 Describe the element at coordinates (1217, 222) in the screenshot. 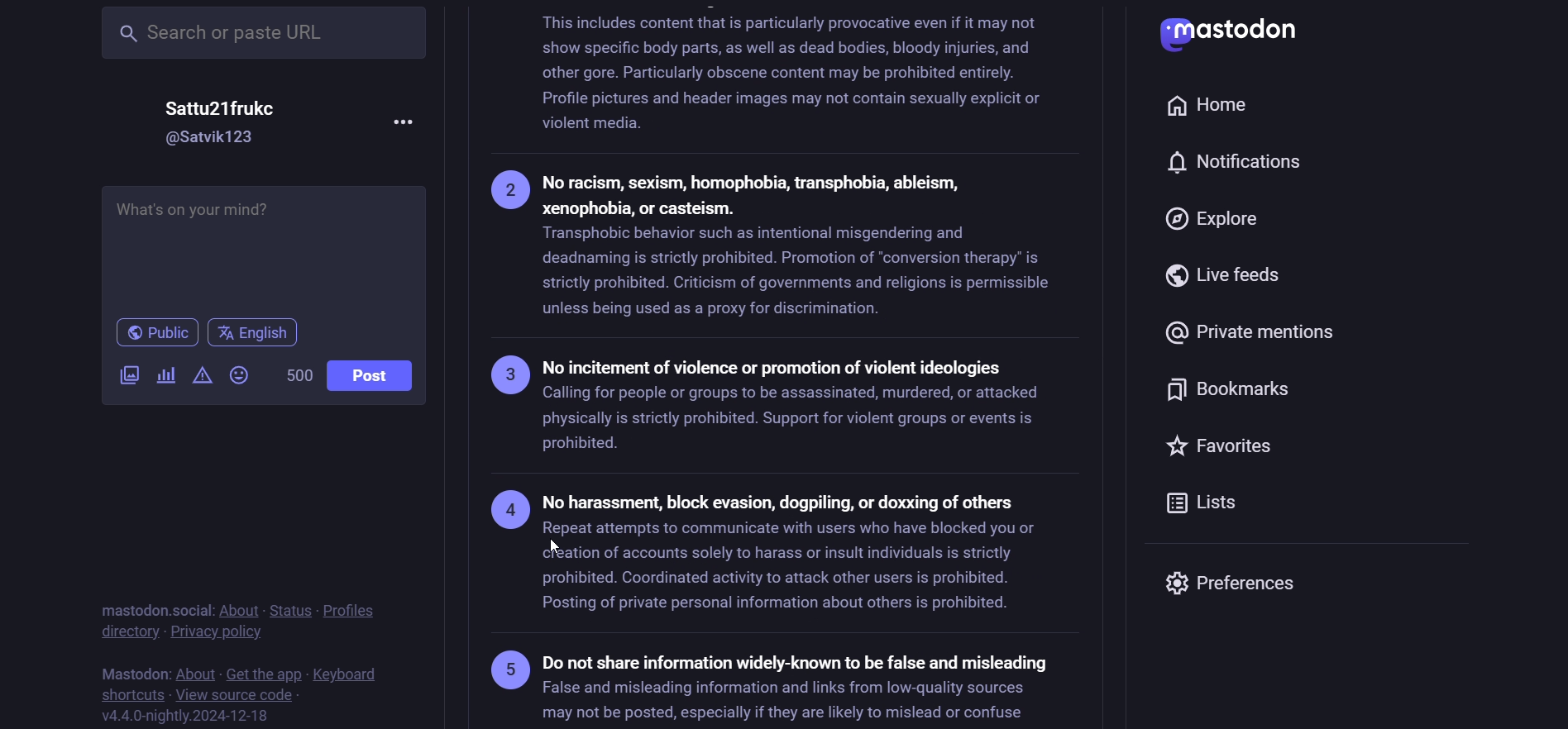

I see `explore` at that location.